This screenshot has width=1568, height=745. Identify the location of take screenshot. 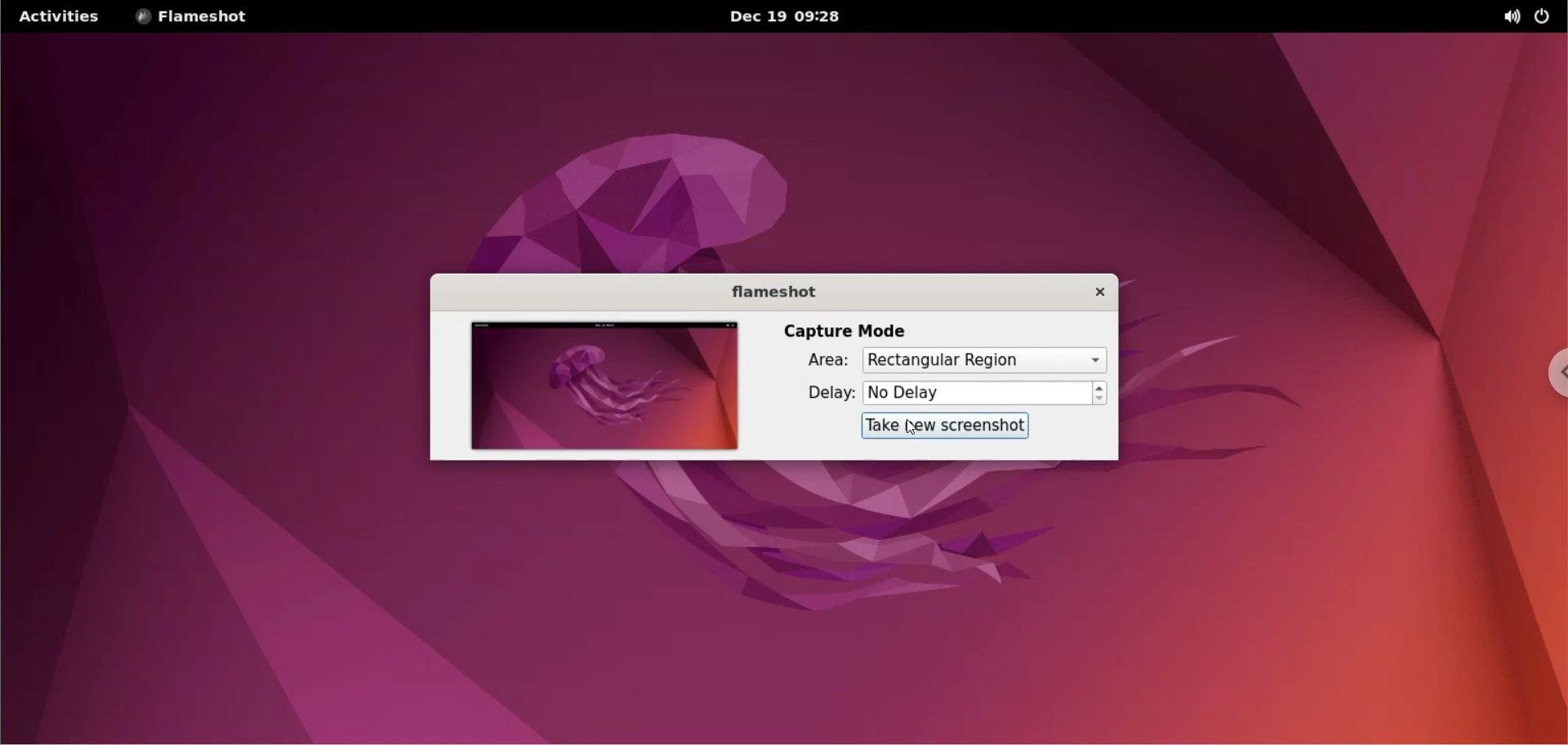
(948, 425).